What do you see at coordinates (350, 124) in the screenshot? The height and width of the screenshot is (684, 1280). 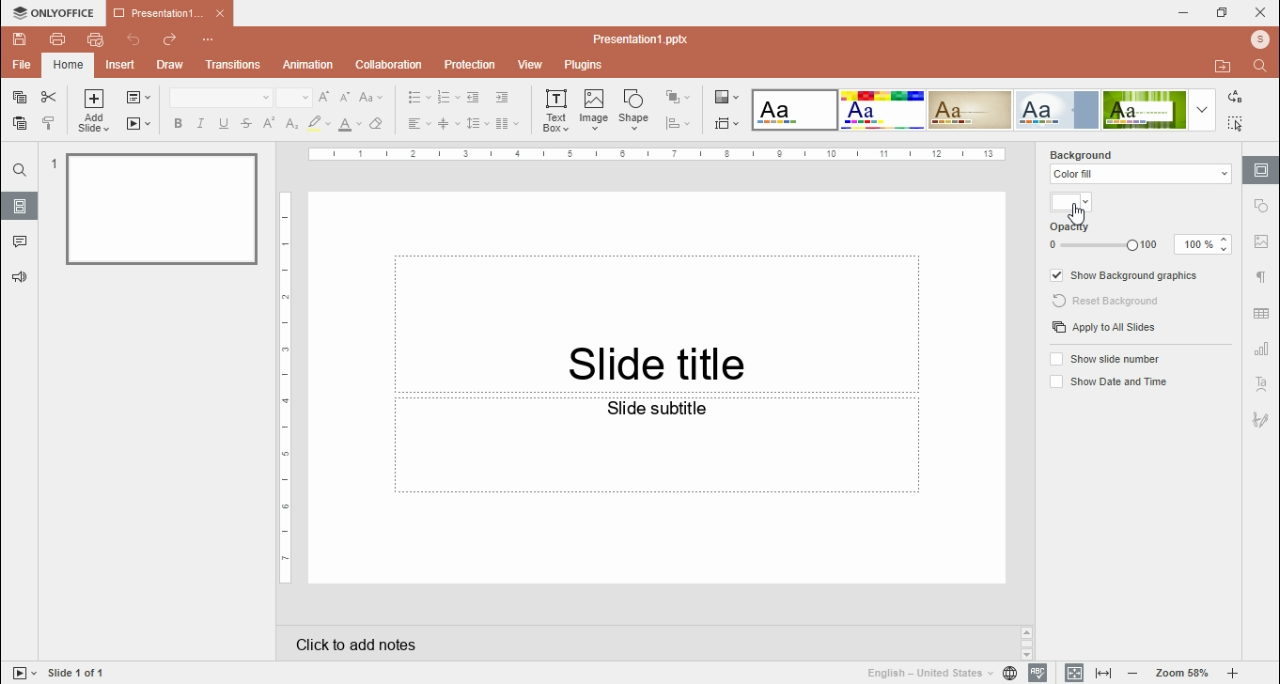 I see `font color` at bounding box center [350, 124].